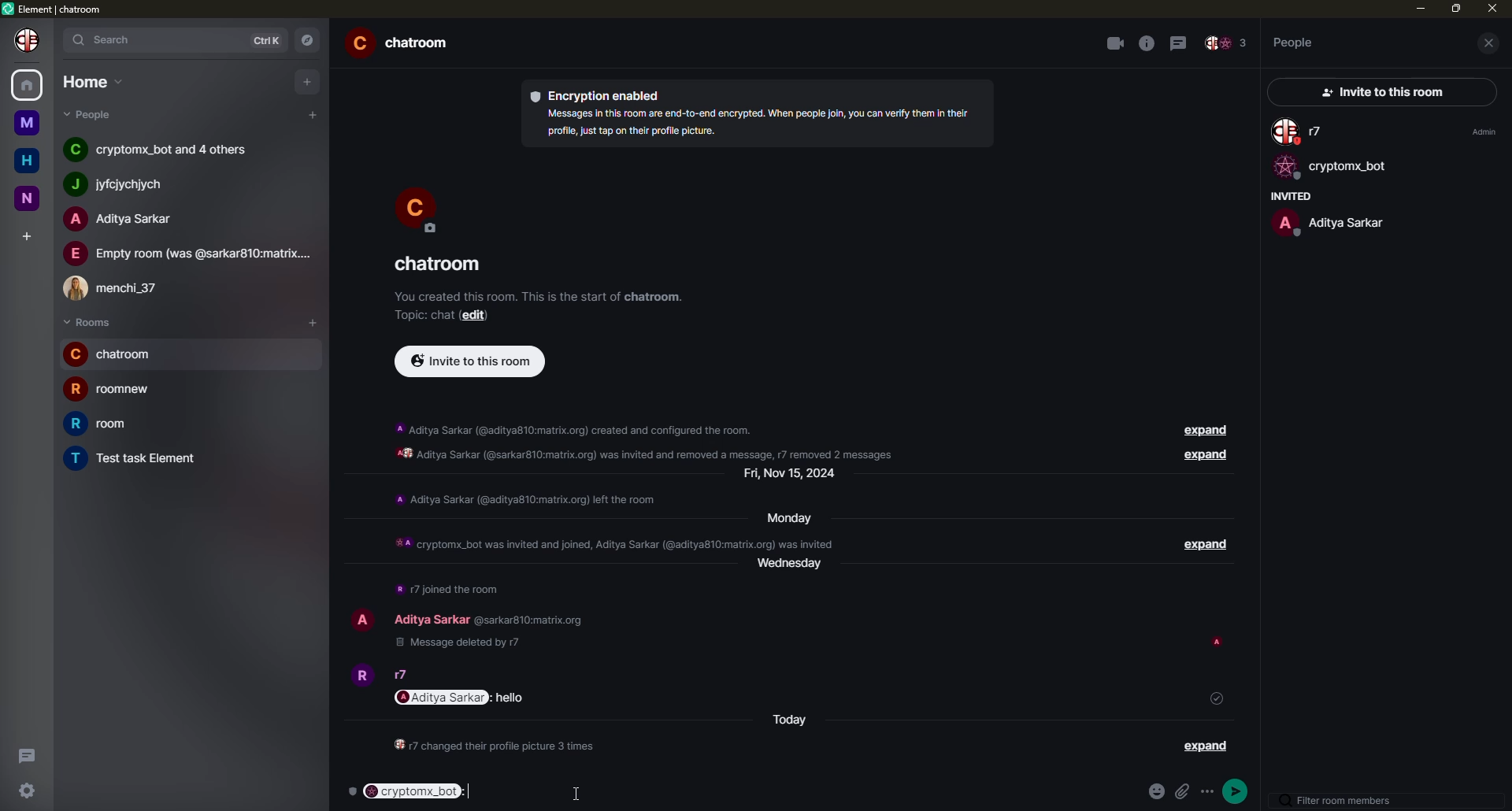  What do you see at coordinates (1288, 196) in the screenshot?
I see `invited` at bounding box center [1288, 196].